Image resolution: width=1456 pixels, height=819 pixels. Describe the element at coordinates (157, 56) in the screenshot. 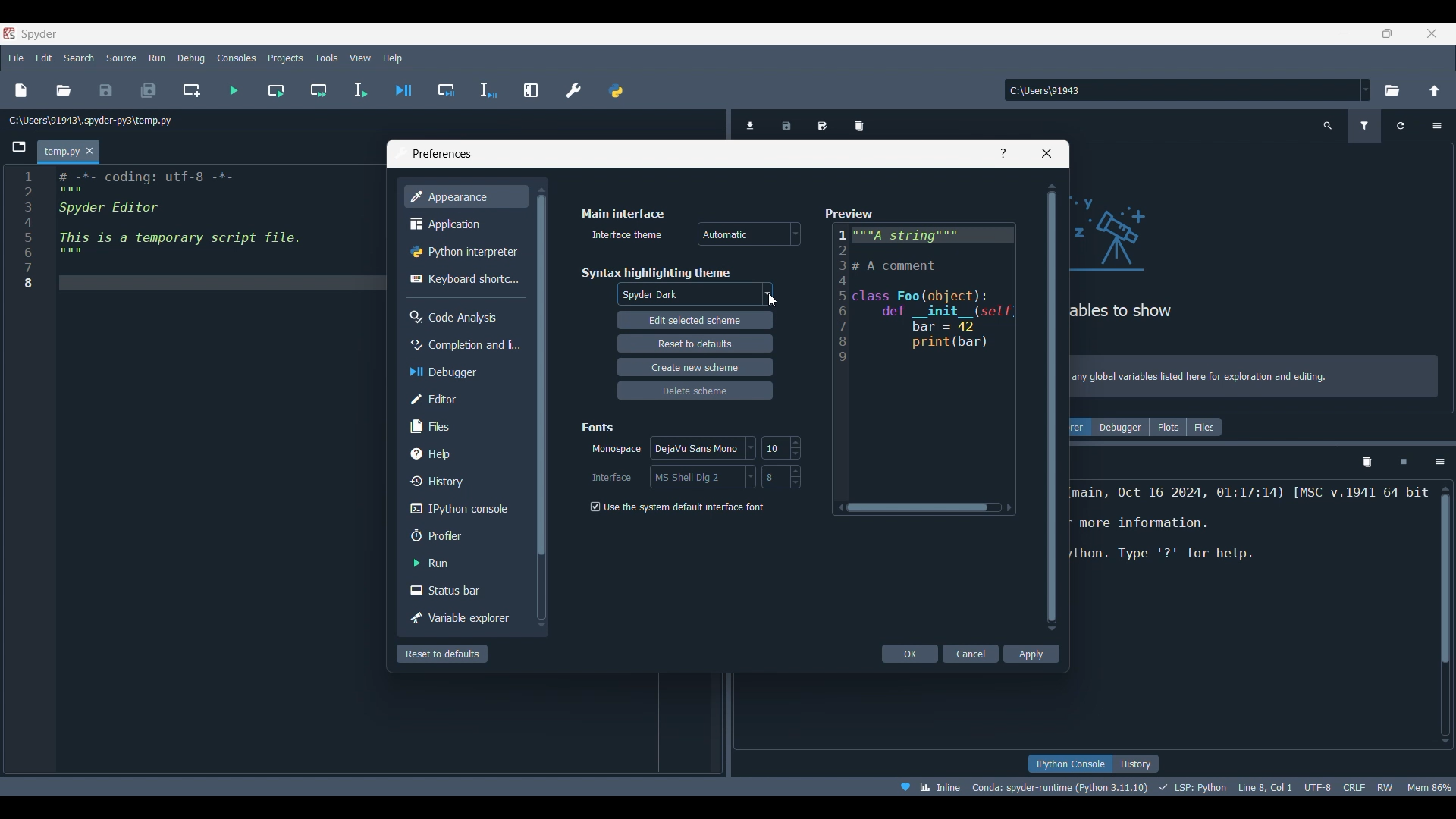

I see `Run menu` at that location.